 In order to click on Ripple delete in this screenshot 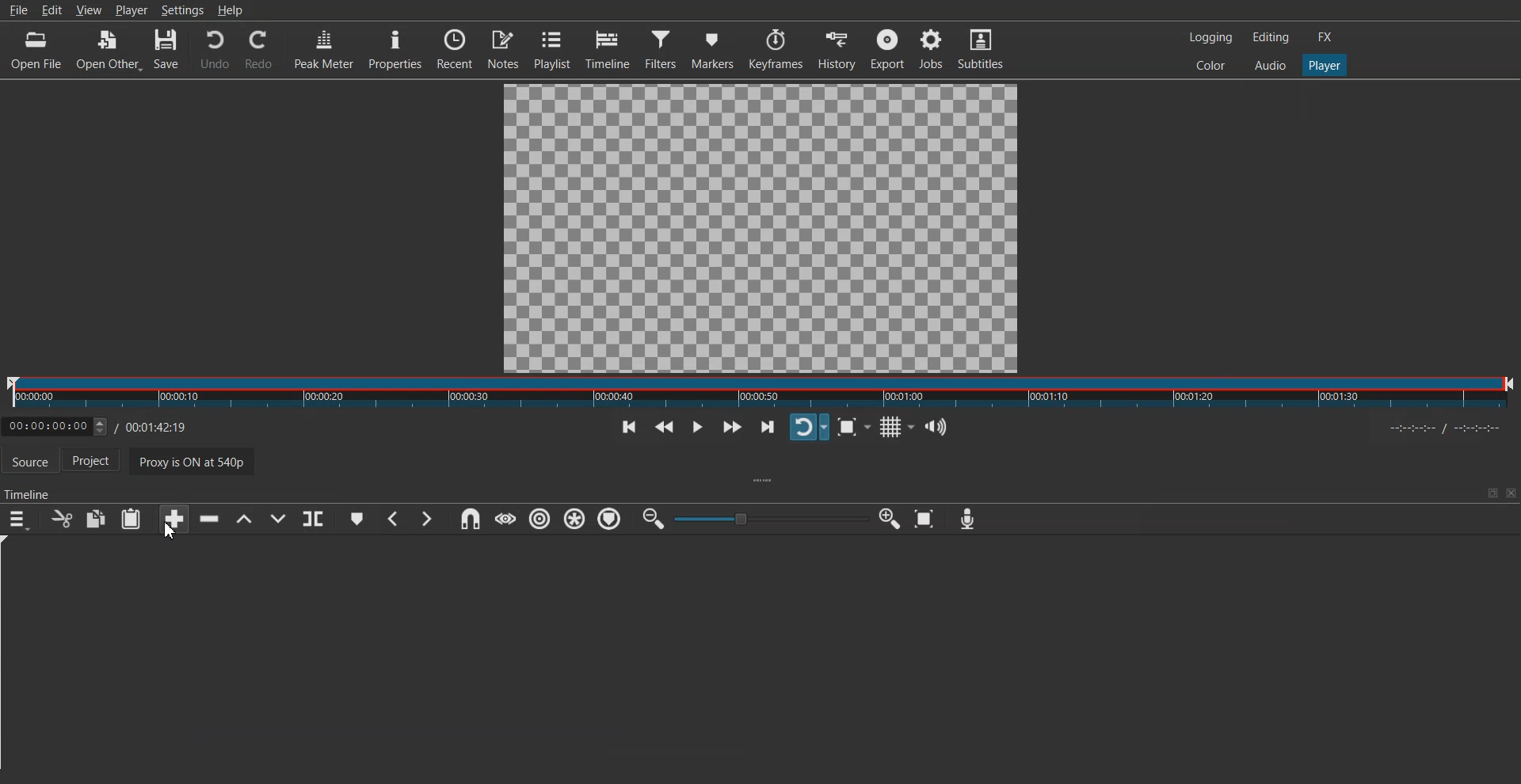, I will do `click(210, 519)`.